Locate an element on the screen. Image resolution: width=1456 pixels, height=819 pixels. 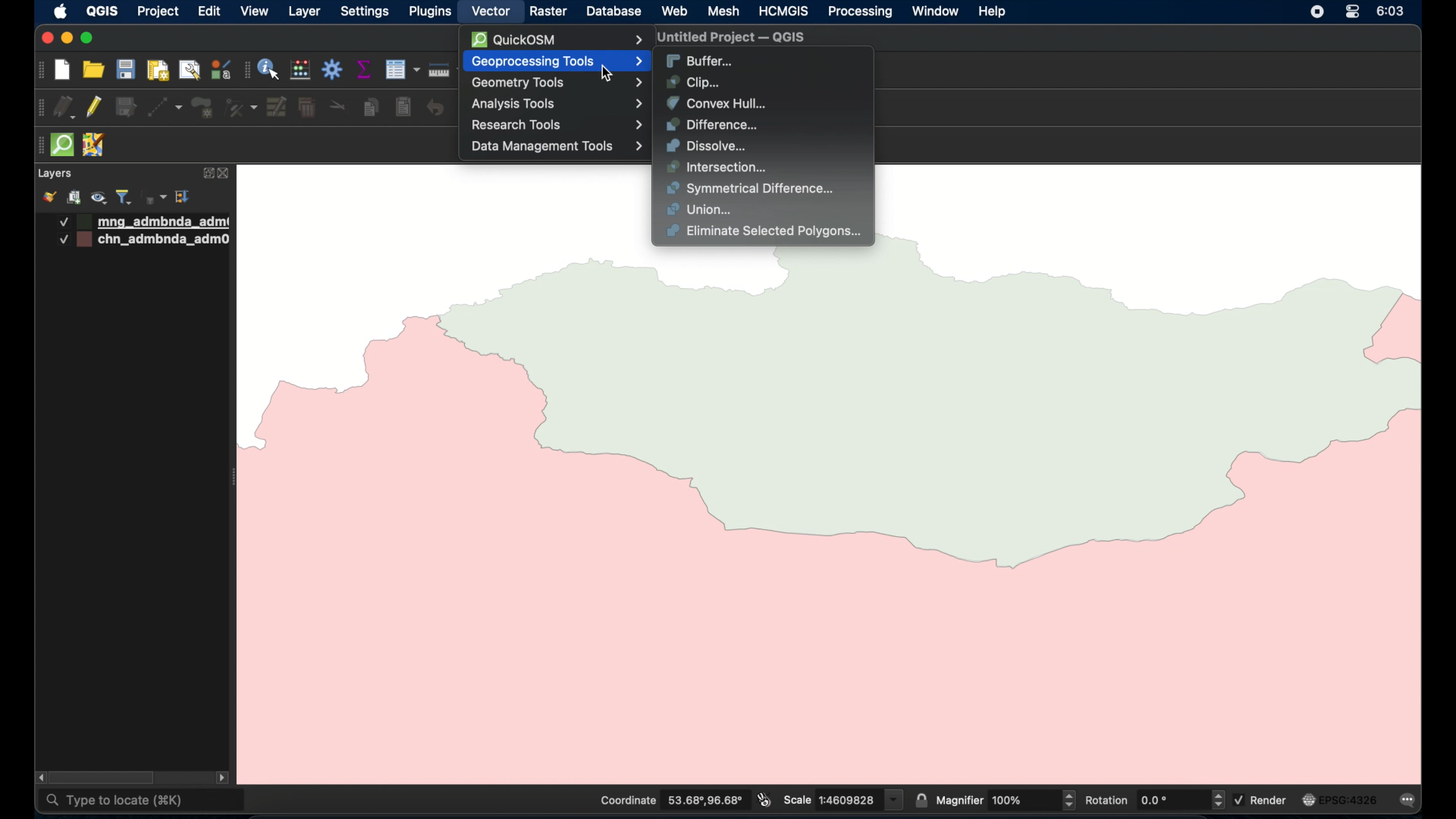
window is located at coordinates (937, 11).